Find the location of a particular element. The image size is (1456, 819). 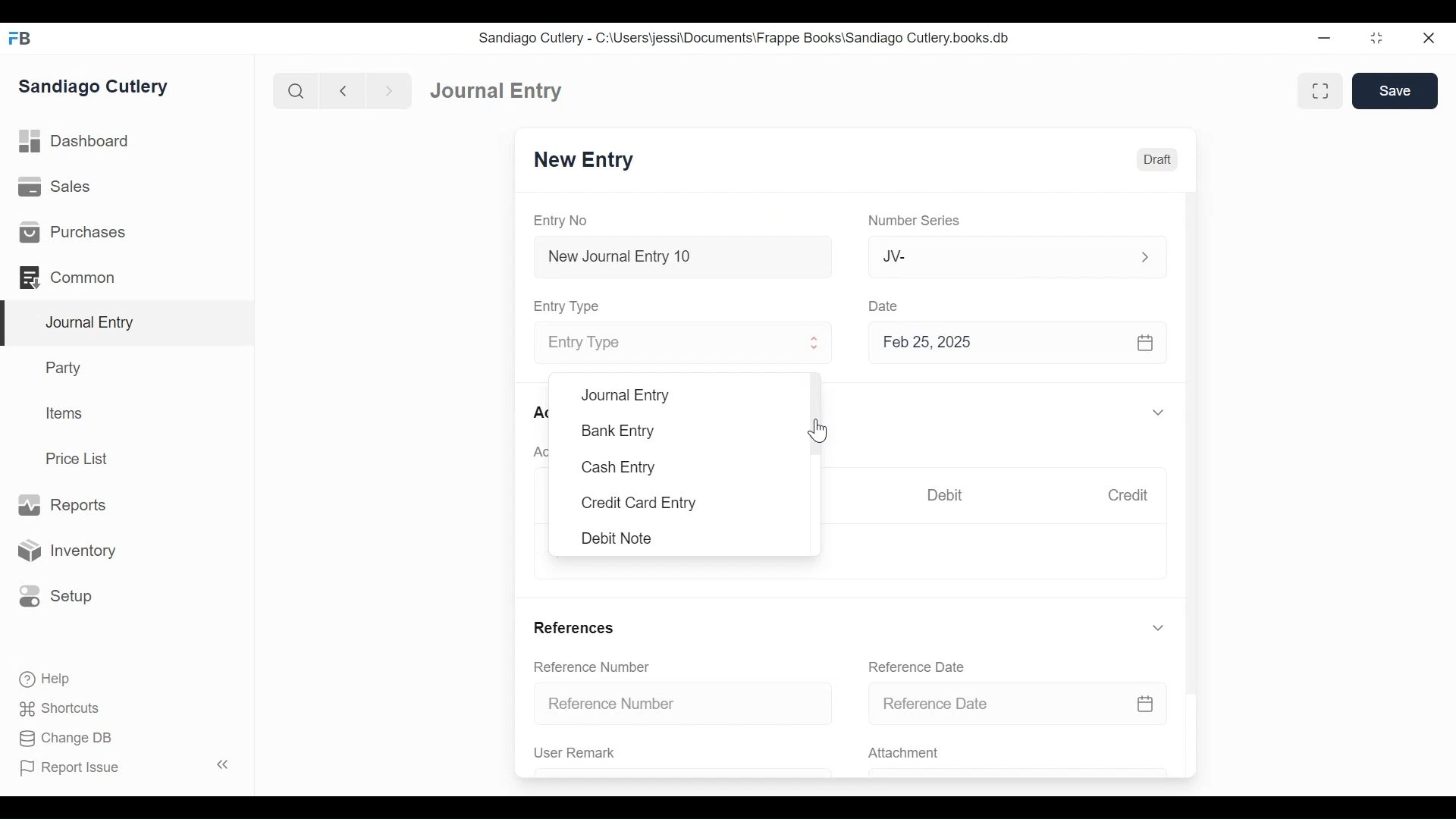

Save is located at coordinates (1395, 91).